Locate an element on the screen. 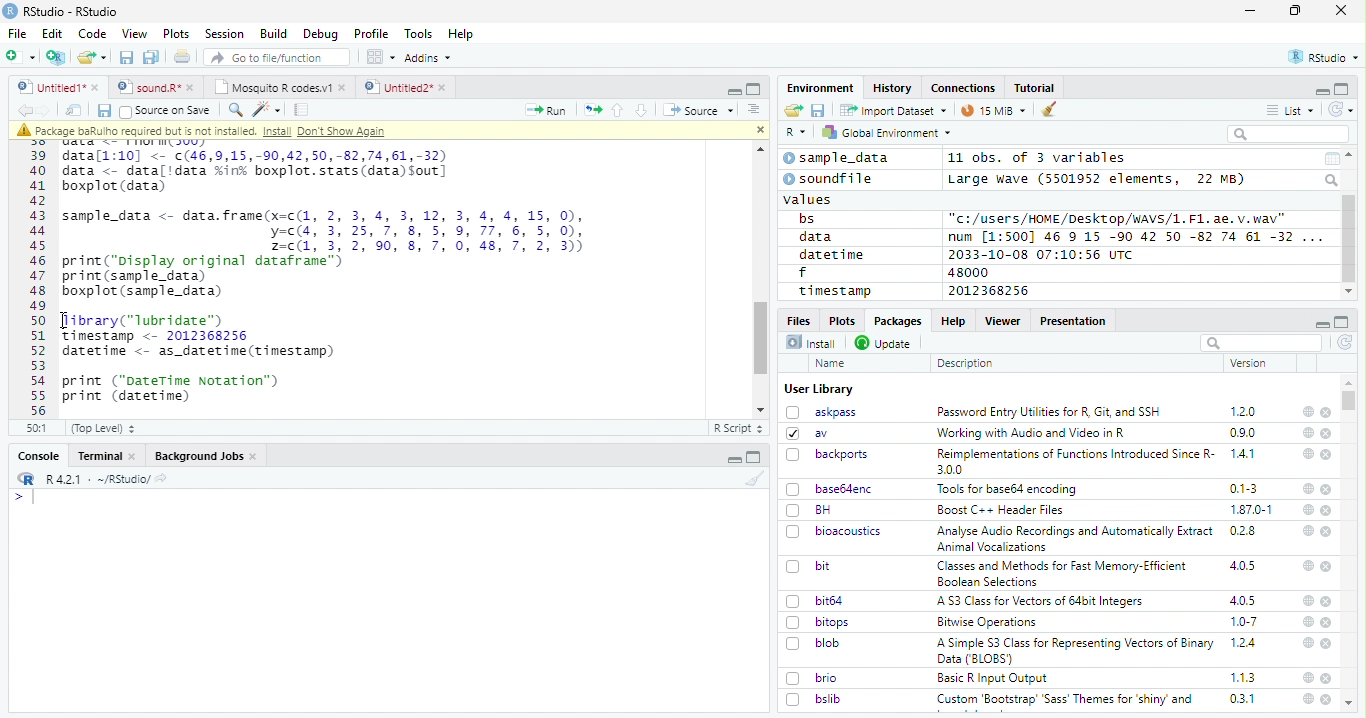 This screenshot has width=1366, height=718. minimize is located at coordinates (1321, 90).